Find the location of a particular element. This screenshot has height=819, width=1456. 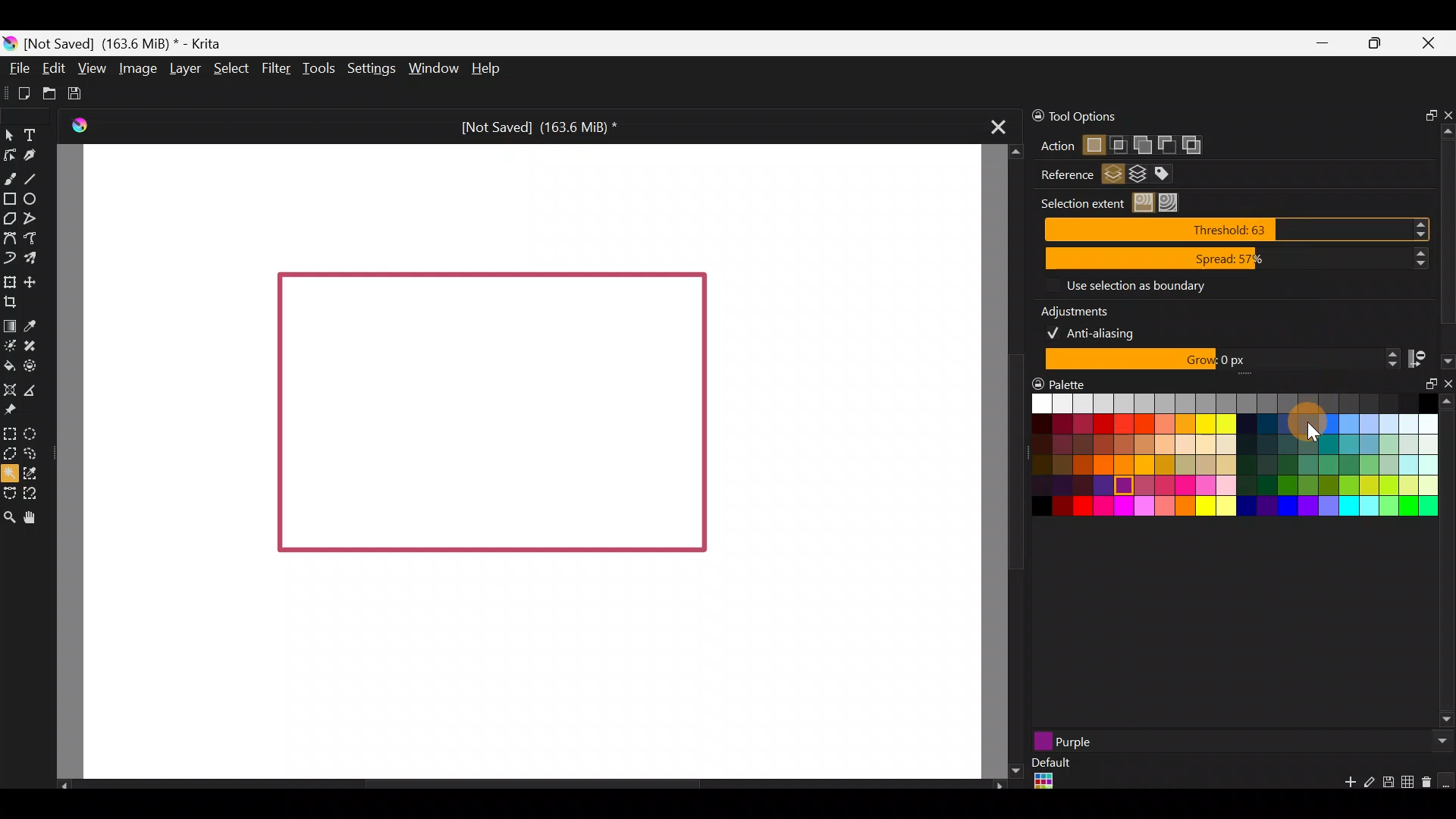

Tools is located at coordinates (315, 71).